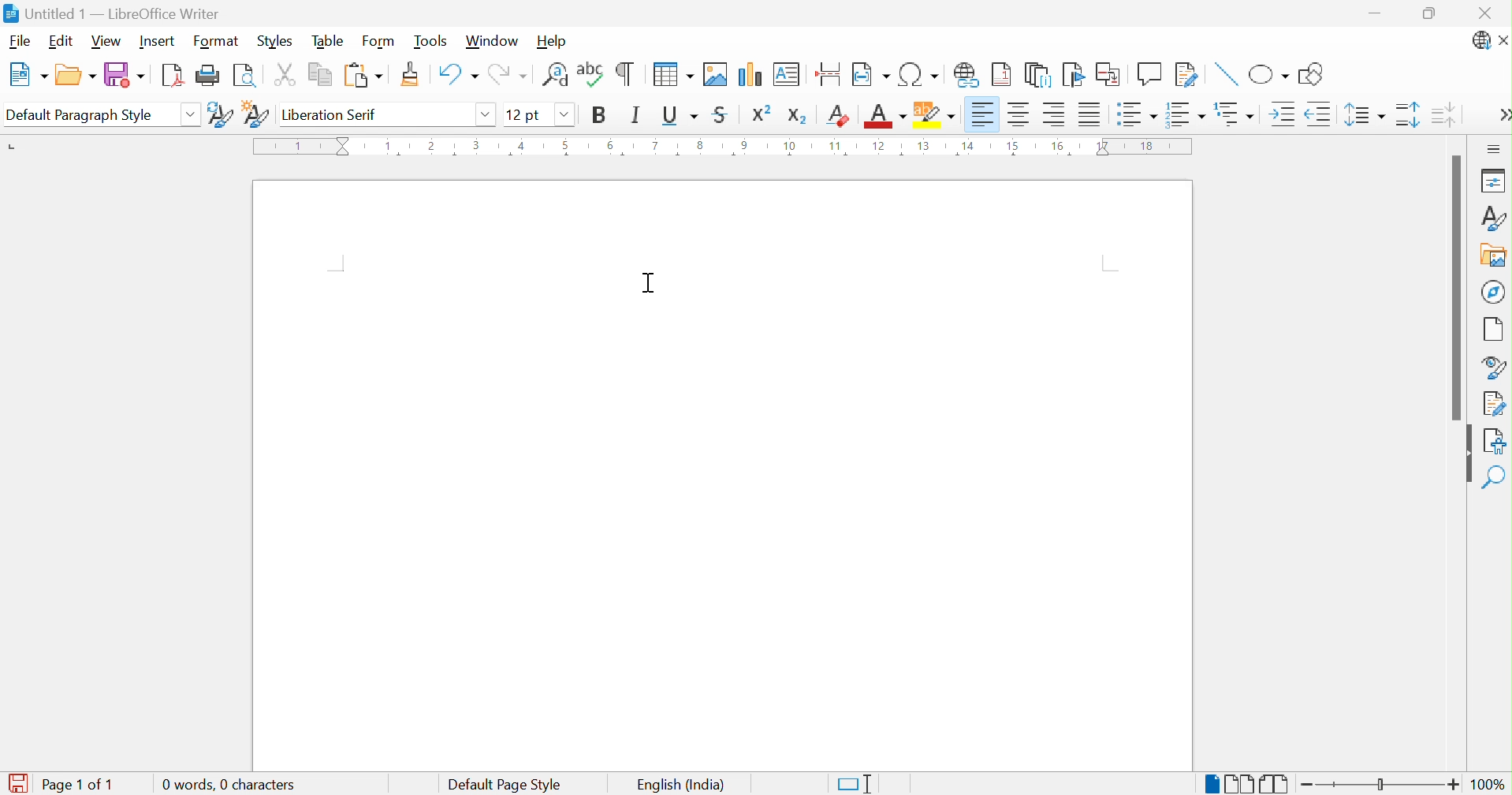 The image size is (1512, 795). What do you see at coordinates (1365, 114) in the screenshot?
I see `Set line spacing` at bounding box center [1365, 114].